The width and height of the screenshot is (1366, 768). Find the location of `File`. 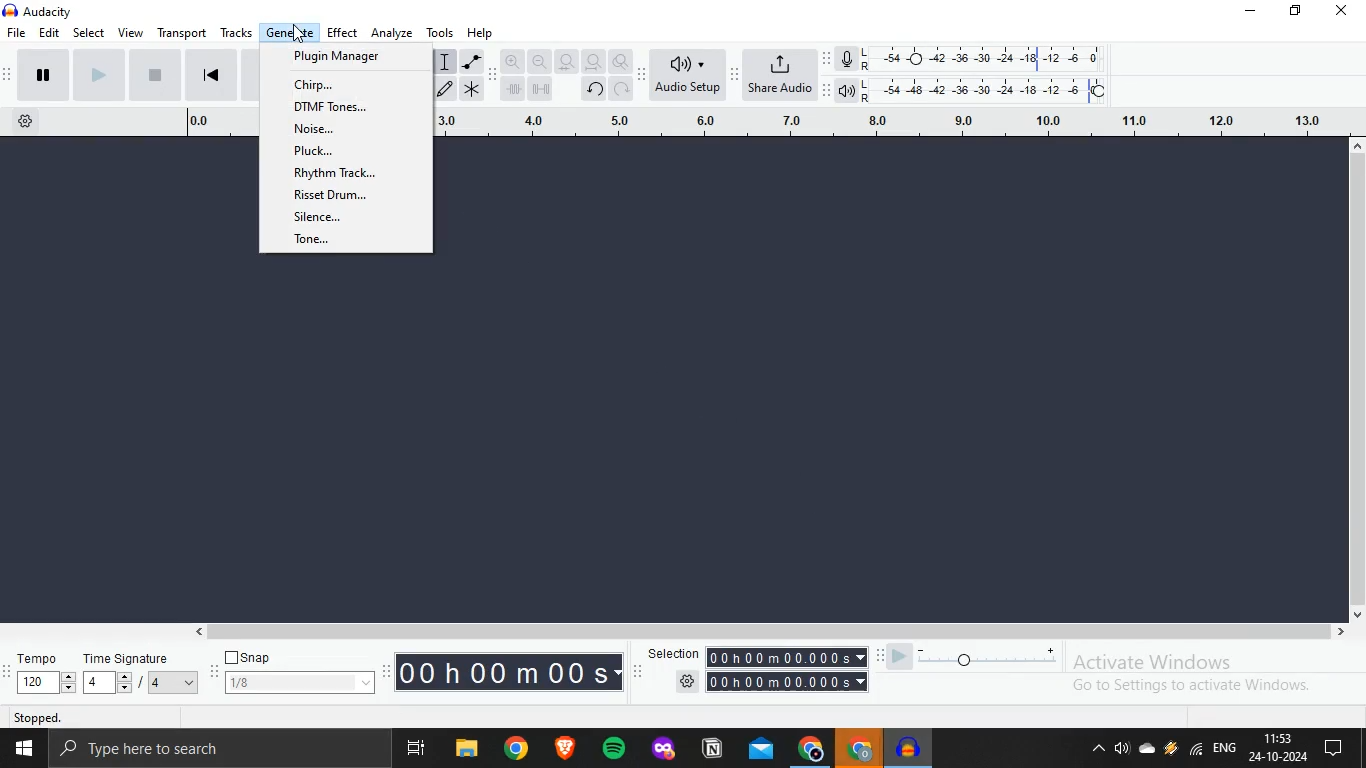

File is located at coordinates (466, 748).